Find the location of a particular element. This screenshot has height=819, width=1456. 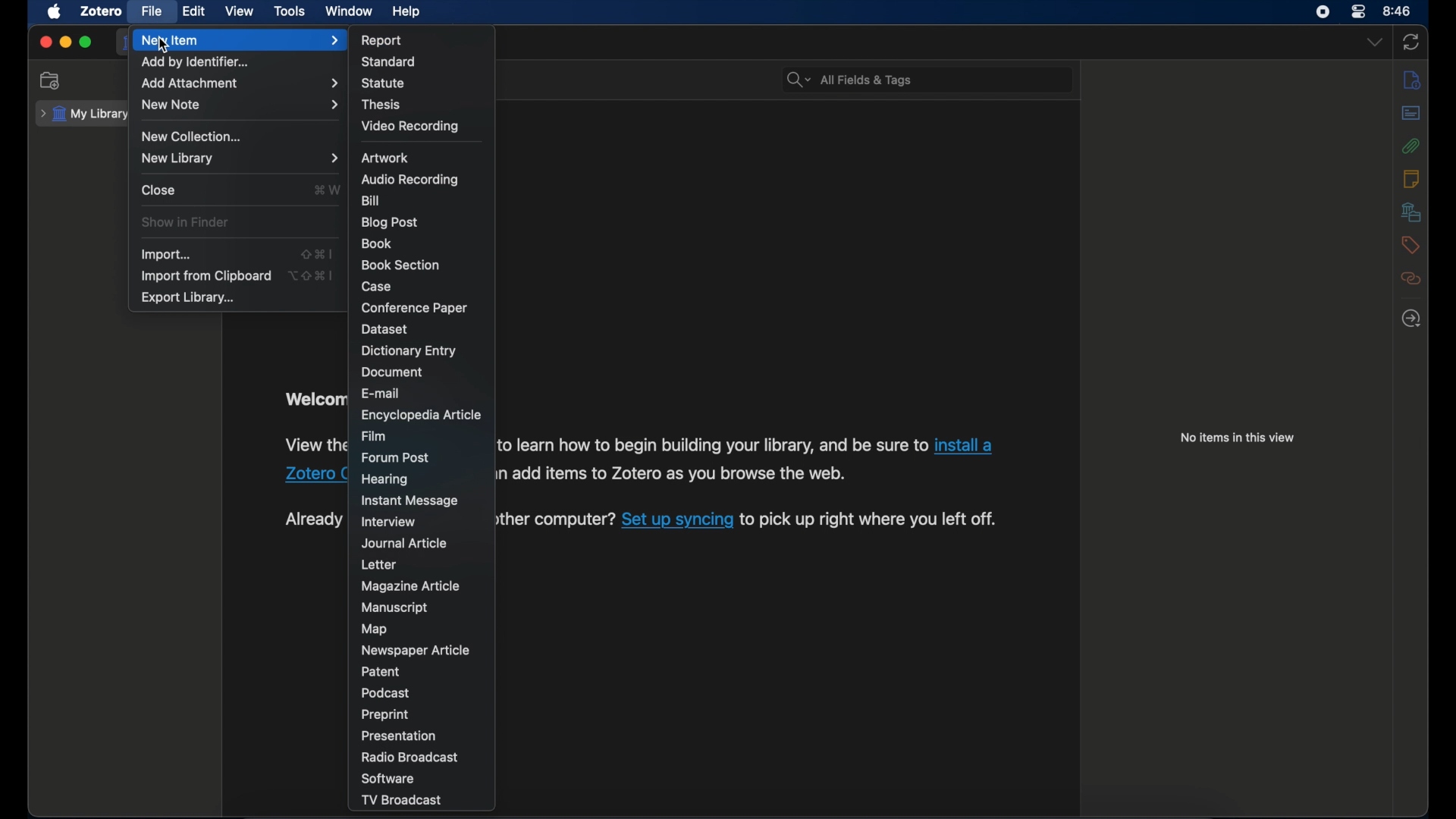

search bar input is located at coordinates (945, 80).